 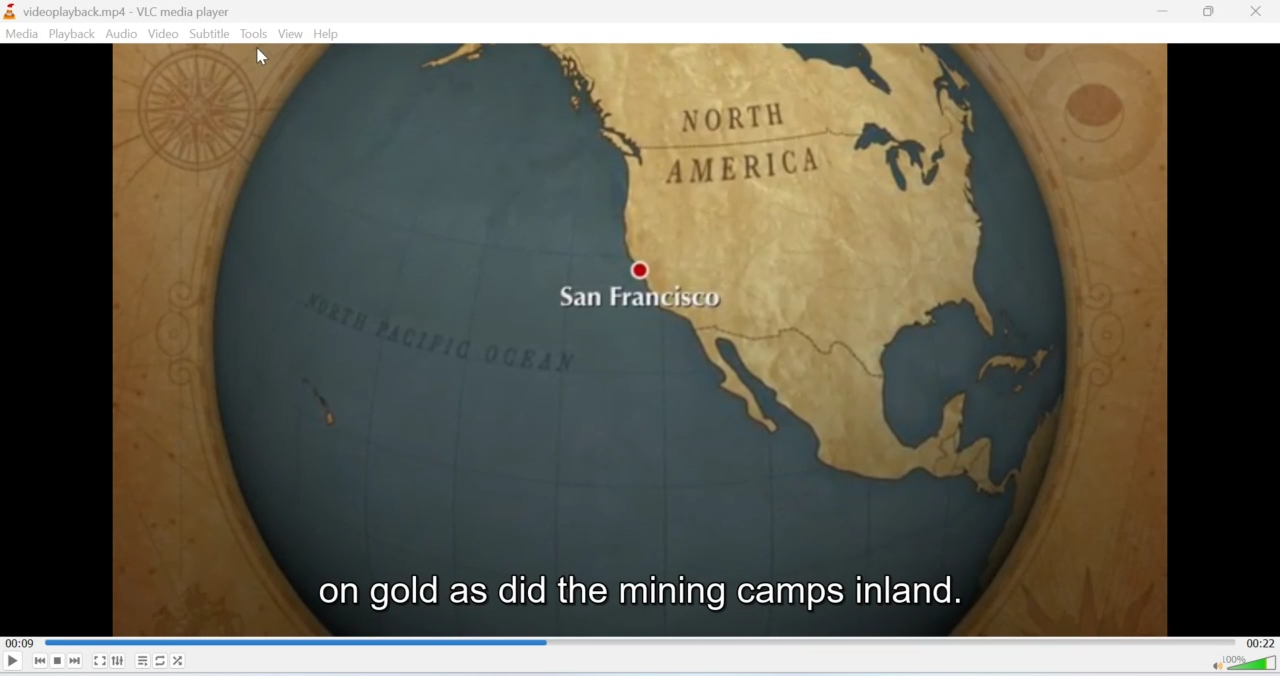 I want to click on Media, so click(x=22, y=34).